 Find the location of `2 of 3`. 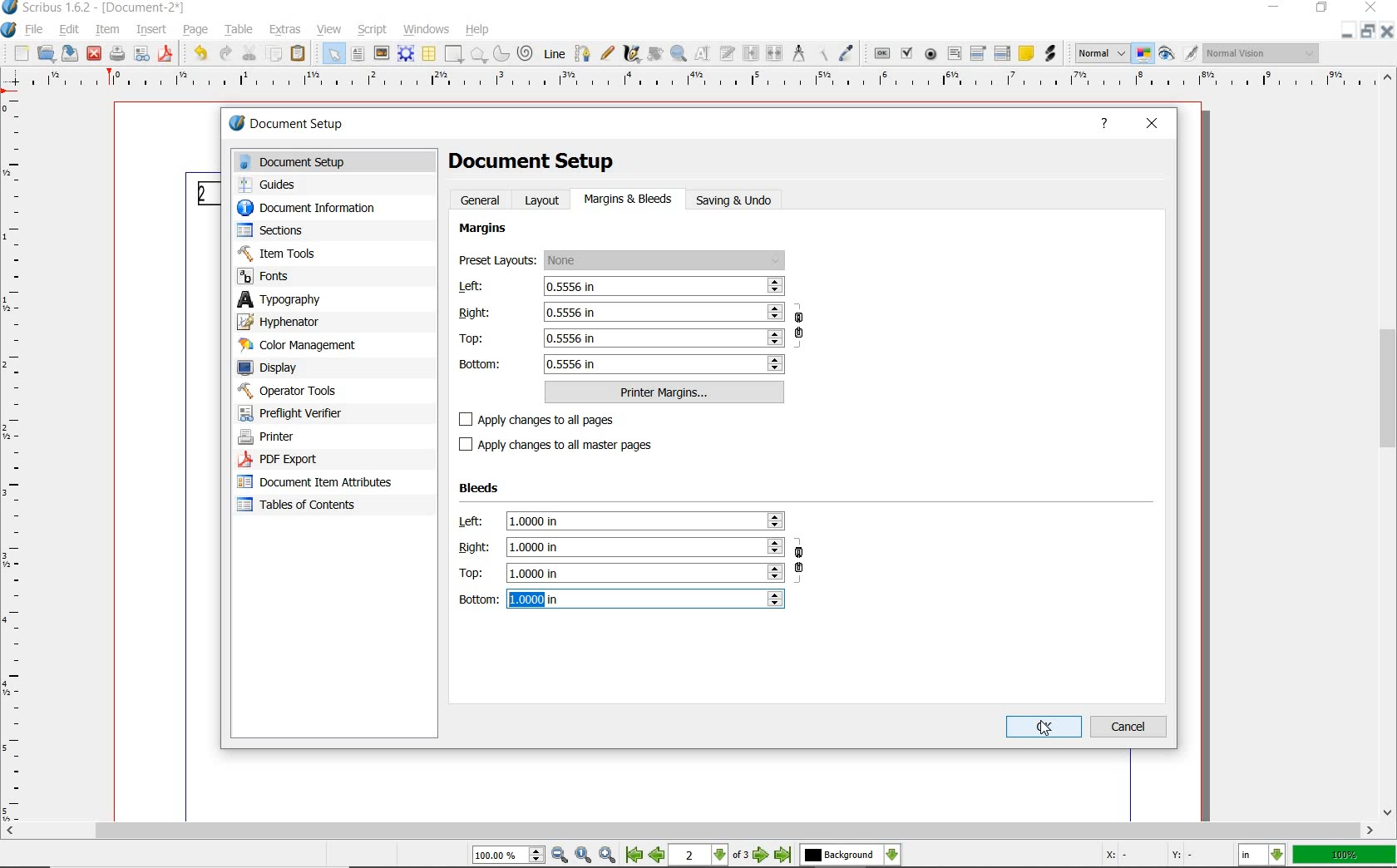

2 of 3 is located at coordinates (711, 856).